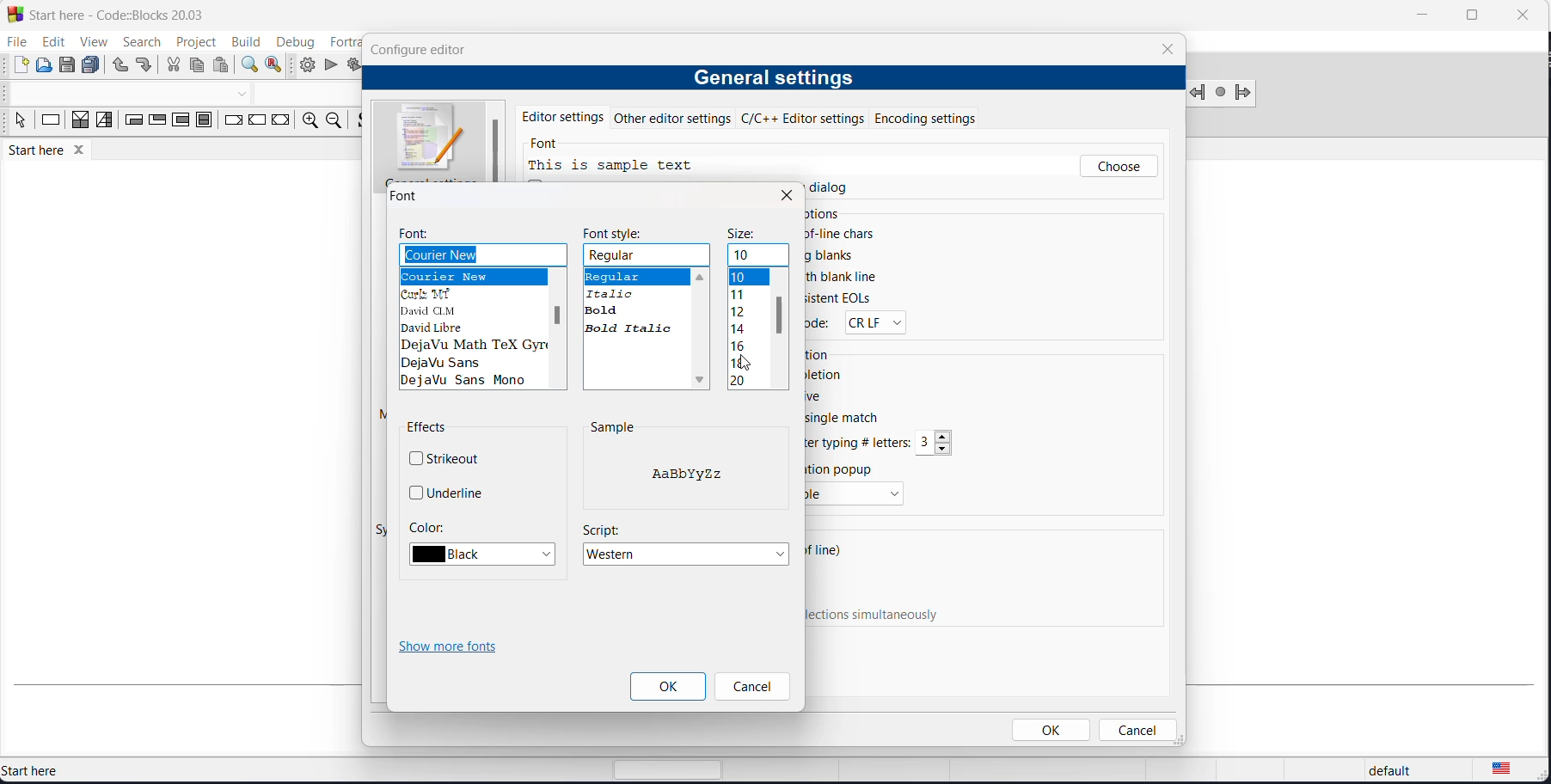 This screenshot has height=784, width=1551. What do you see at coordinates (856, 420) in the screenshot?
I see `Single match` at bounding box center [856, 420].